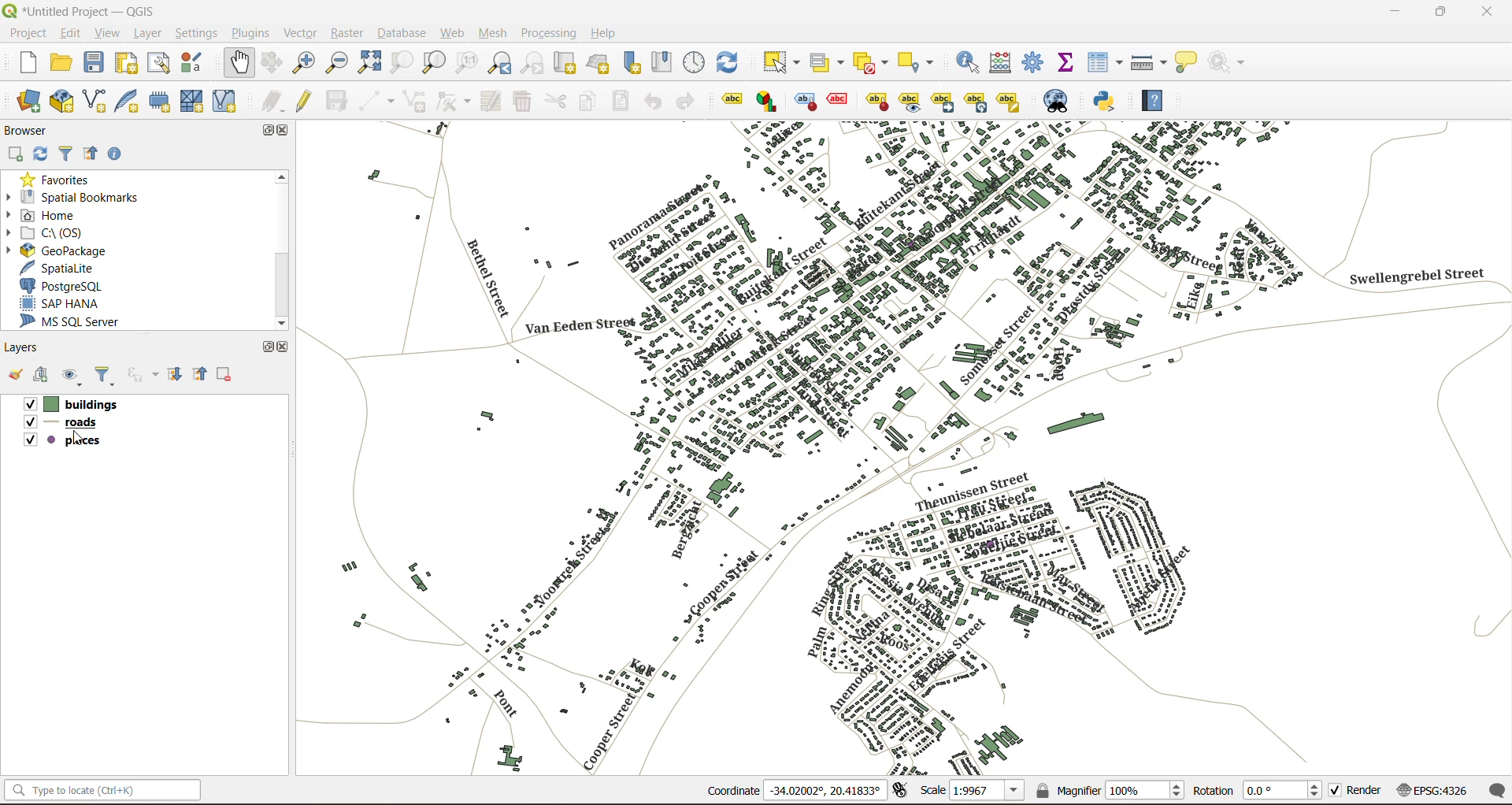  I want to click on statistical summary, so click(1068, 63).